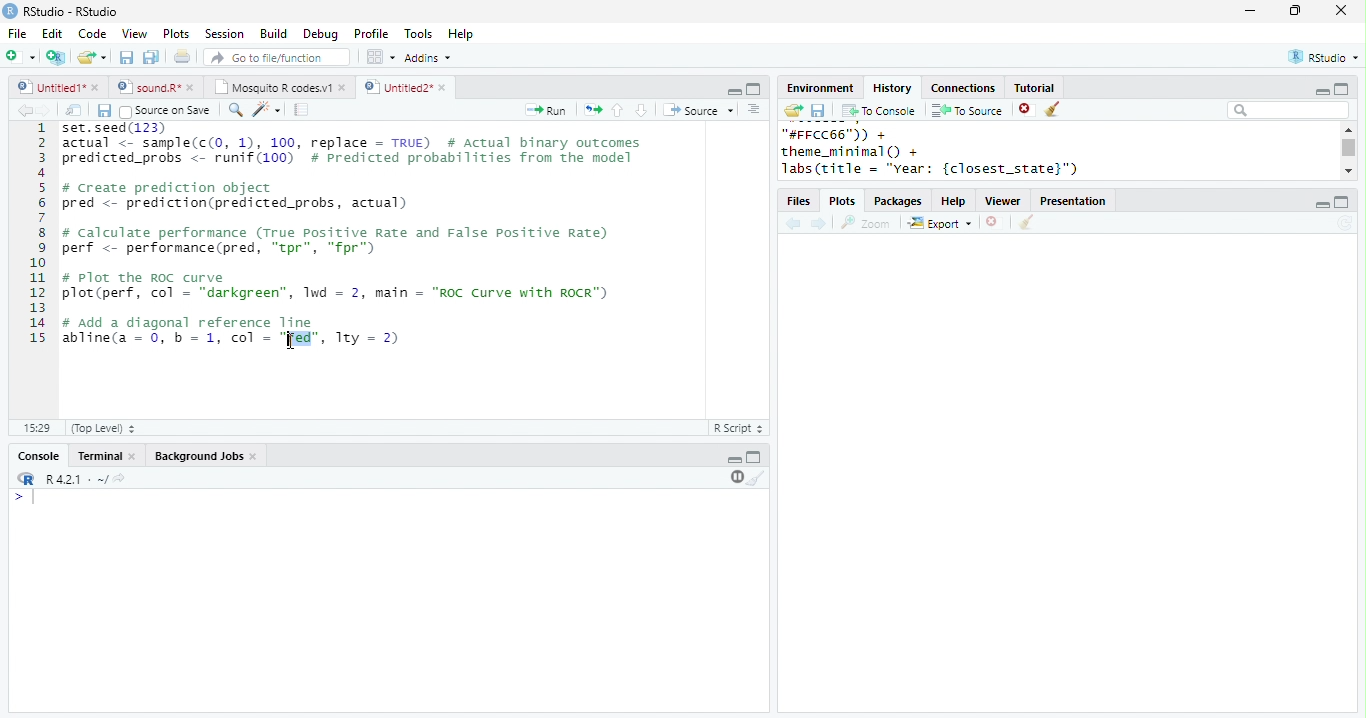 This screenshot has width=1366, height=718. I want to click on close, so click(97, 87).